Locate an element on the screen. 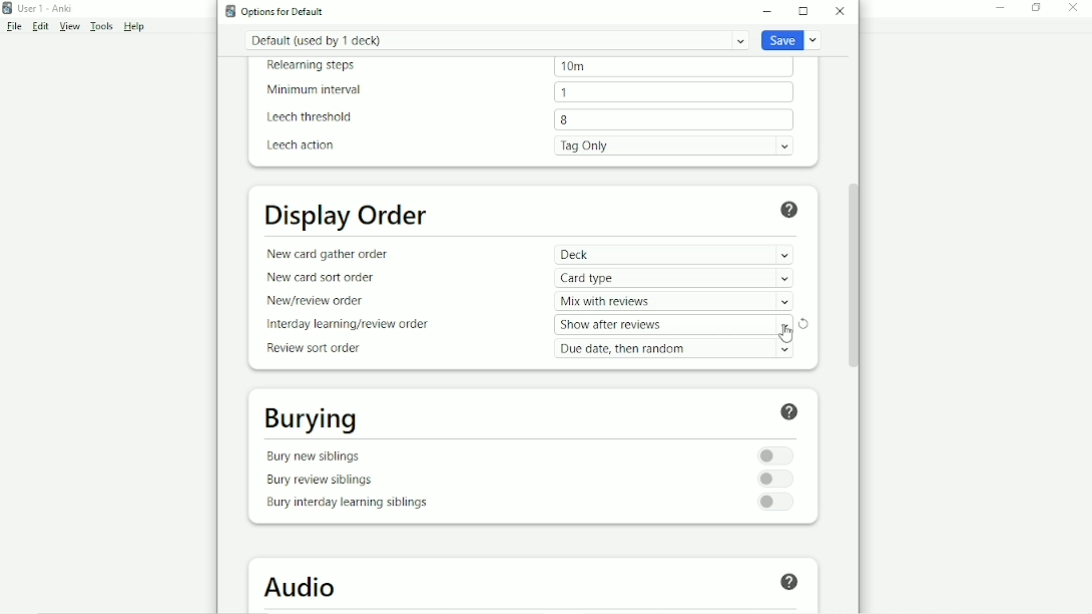 The height and width of the screenshot is (614, 1092). Leech action is located at coordinates (302, 146).